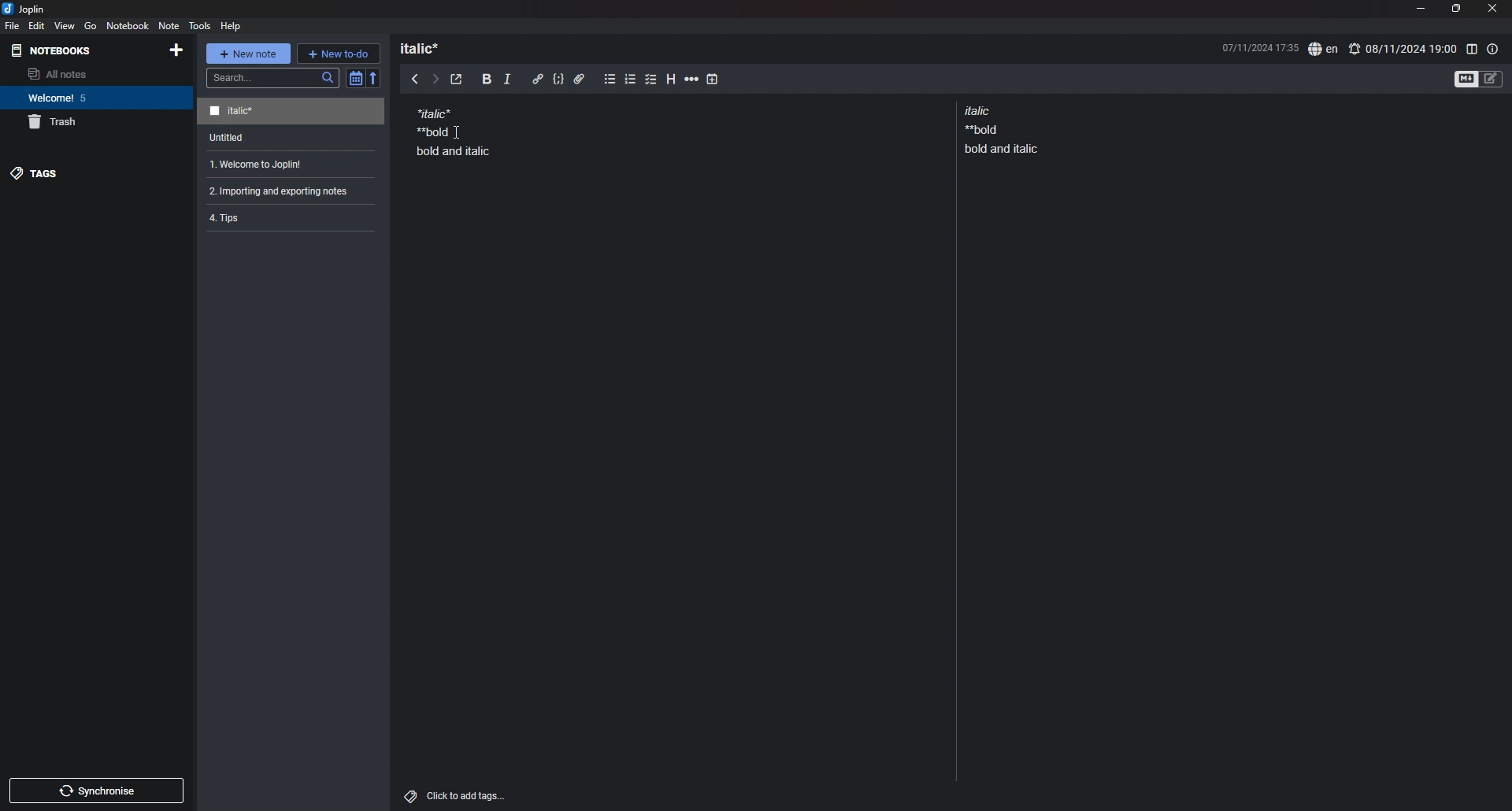  What do you see at coordinates (454, 131) in the screenshot?
I see `note` at bounding box center [454, 131].